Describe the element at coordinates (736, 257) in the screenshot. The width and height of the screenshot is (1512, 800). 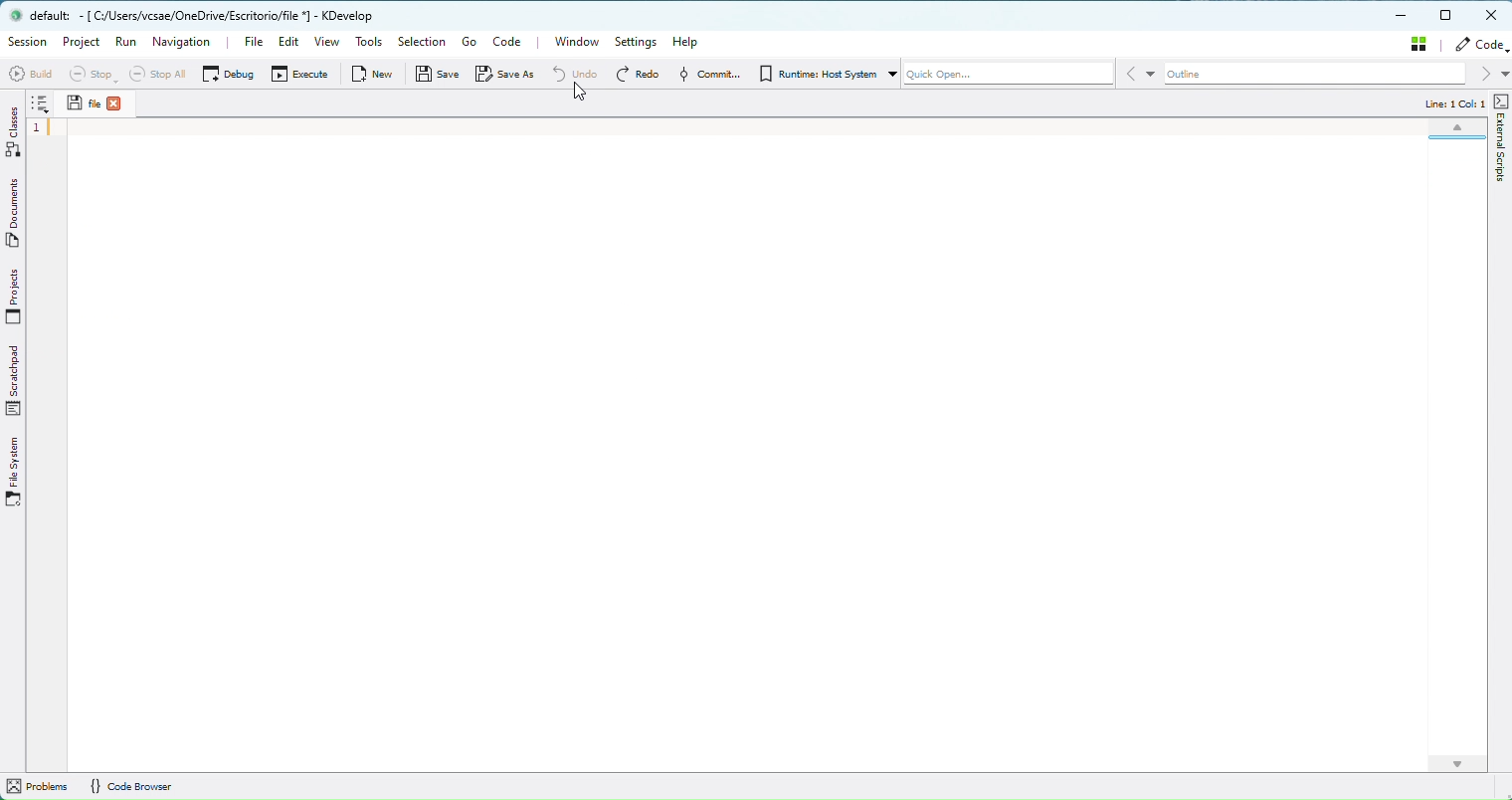
I see `Canvas` at that location.